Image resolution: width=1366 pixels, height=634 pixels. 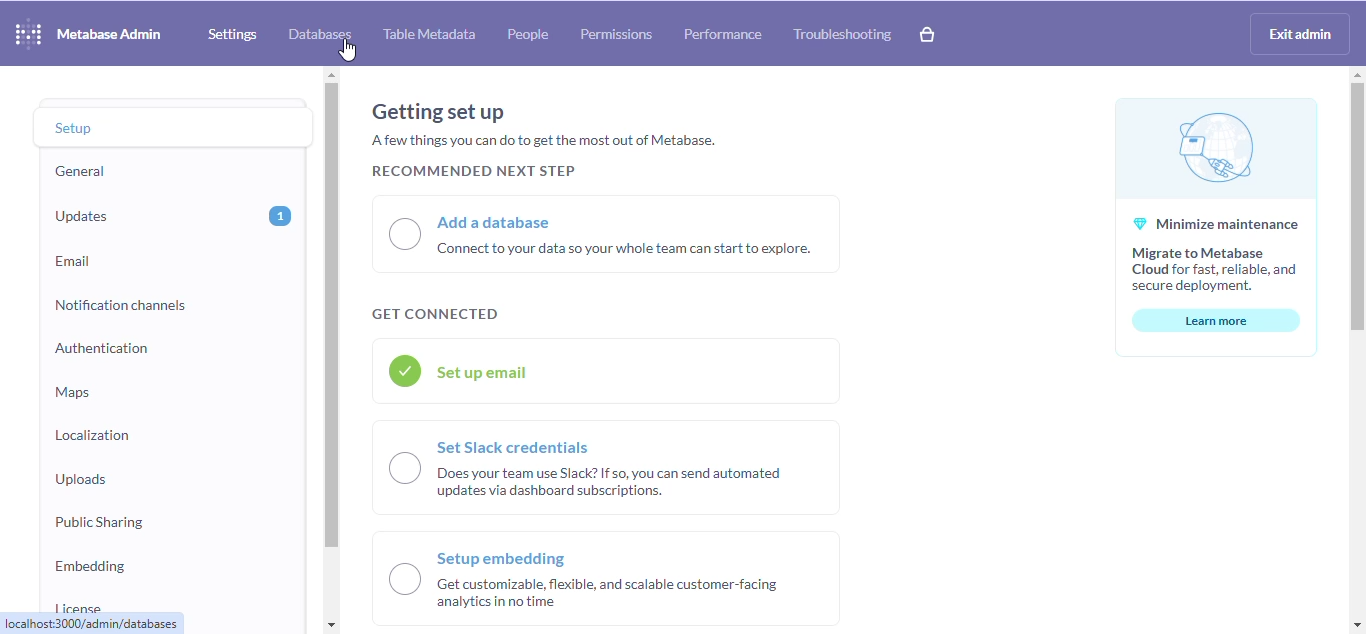 I want to click on troubleshooting, so click(x=841, y=34).